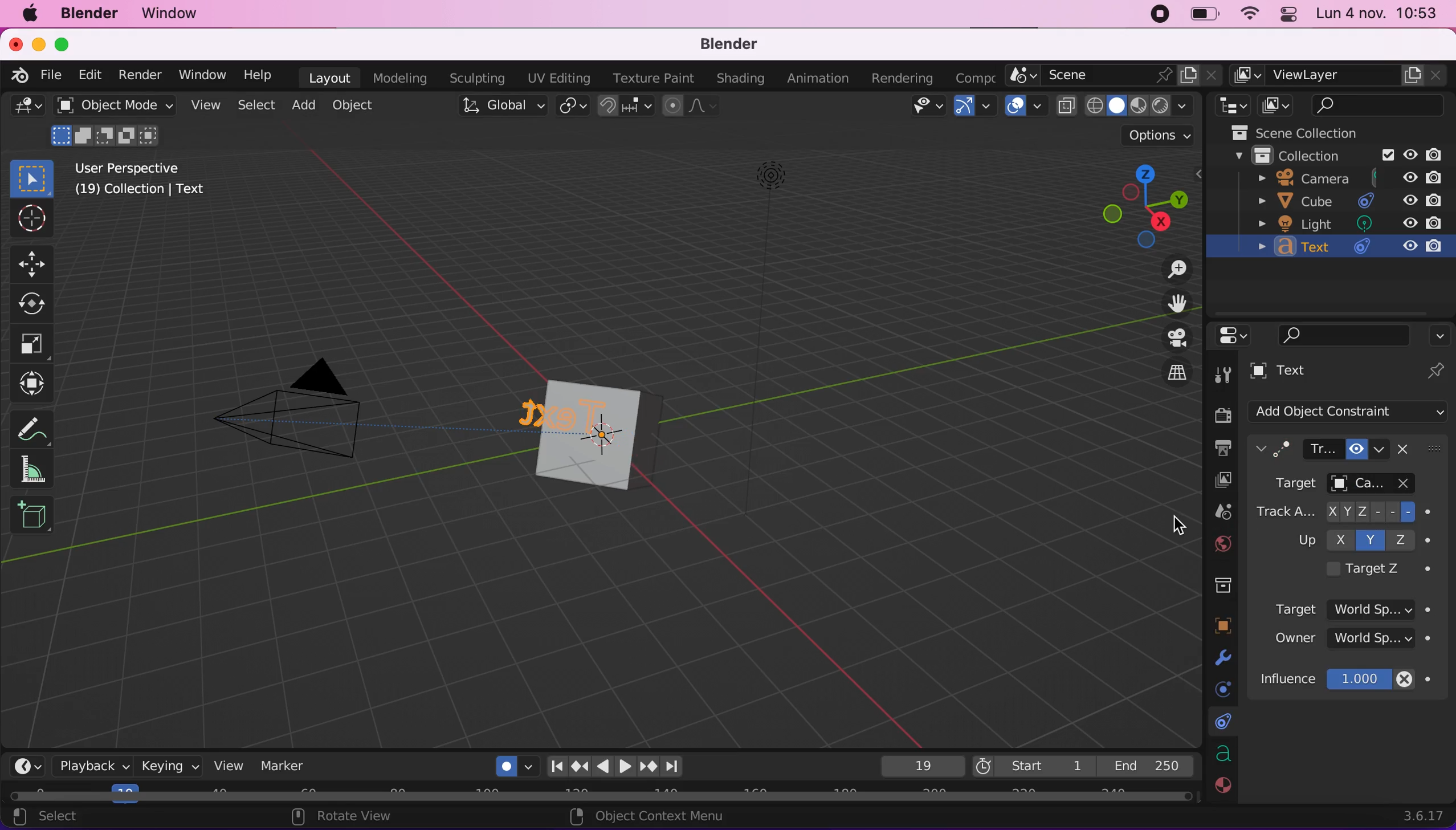  I want to click on paintbrush, so click(1407, 486).